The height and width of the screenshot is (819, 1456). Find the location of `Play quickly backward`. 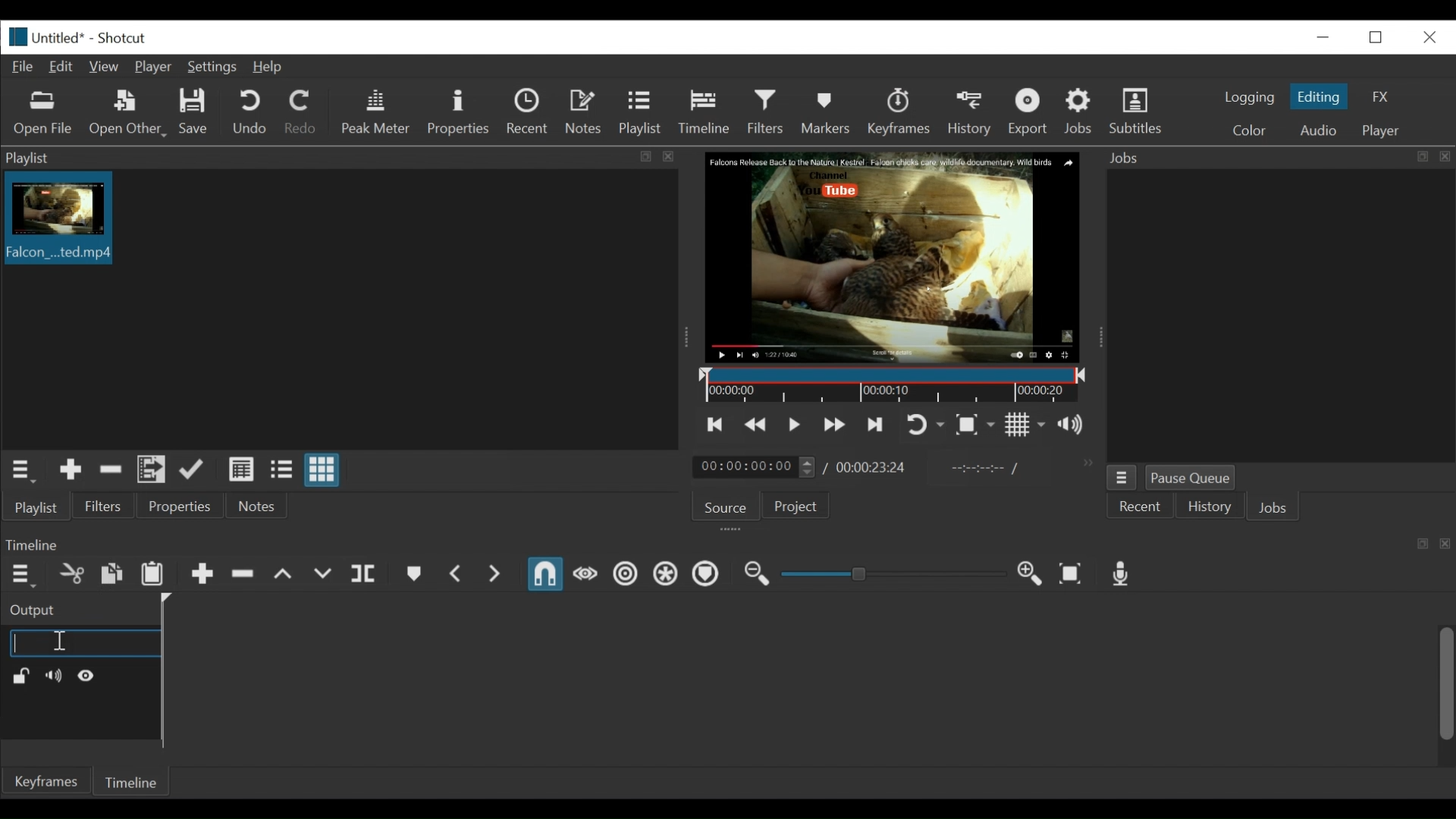

Play quickly backward is located at coordinates (757, 425).